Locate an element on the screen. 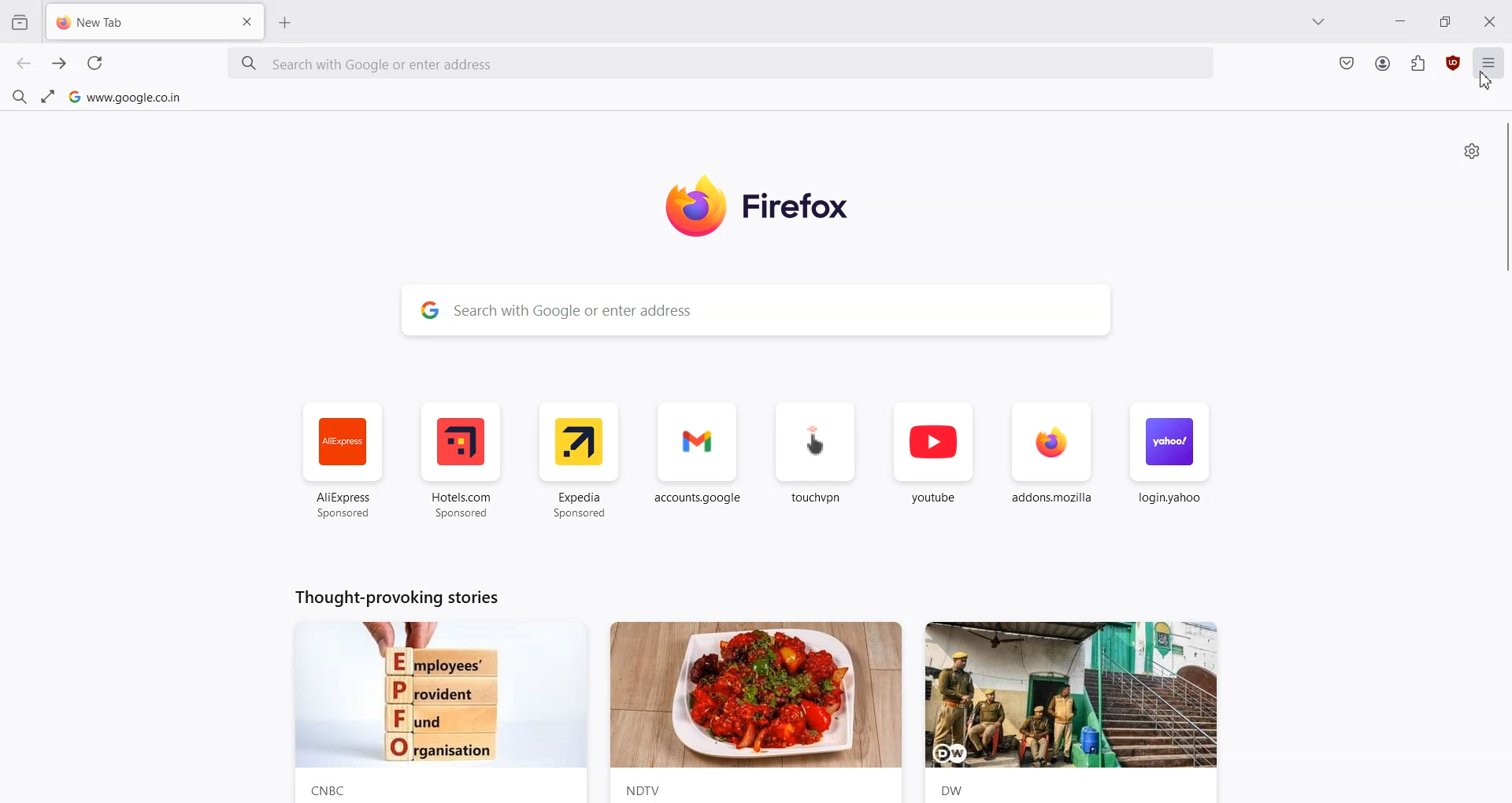 Image resolution: width=1512 pixels, height=803 pixels. Go back to one page  is located at coordinates (24, 64).